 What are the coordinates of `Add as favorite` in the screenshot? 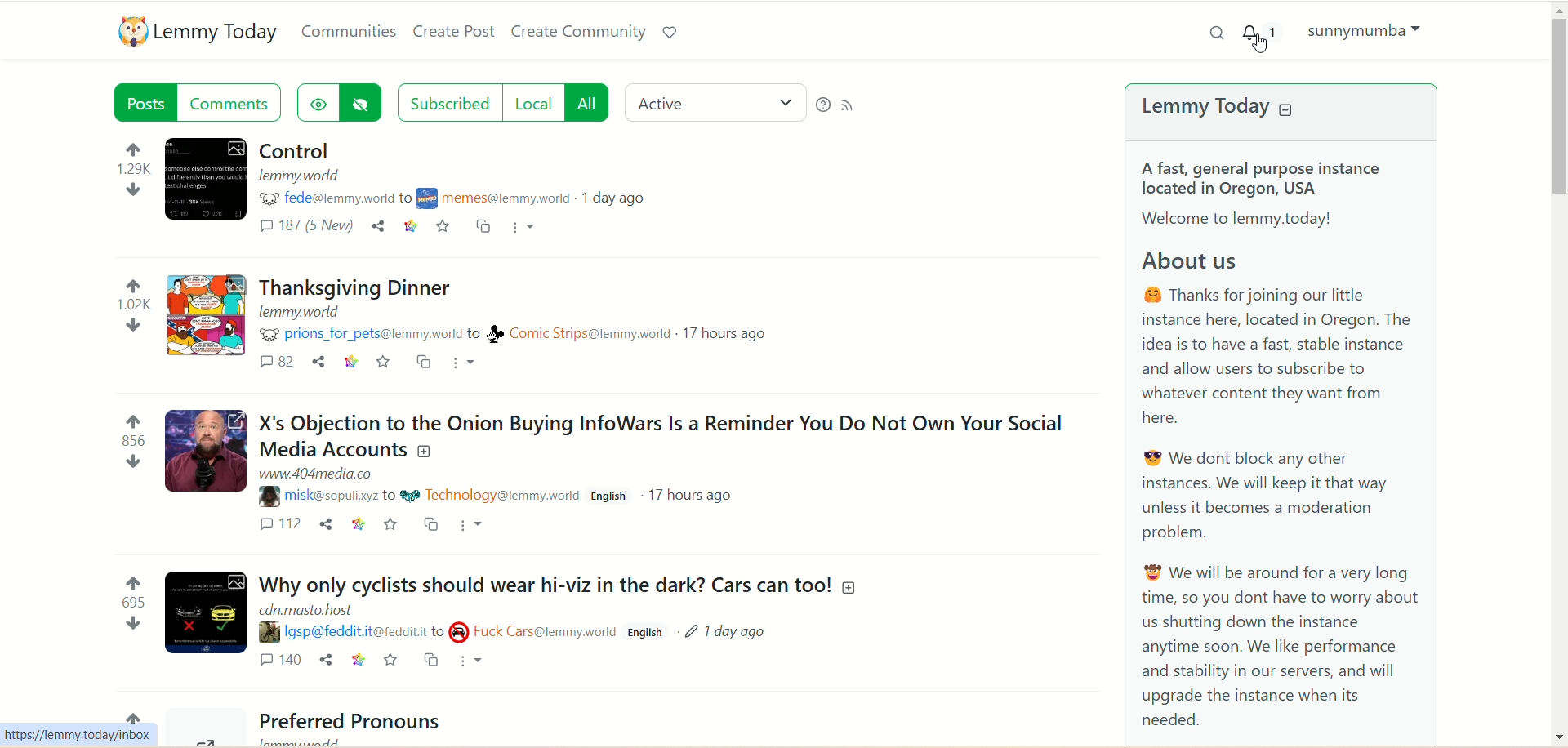 It's located at (391, 661).